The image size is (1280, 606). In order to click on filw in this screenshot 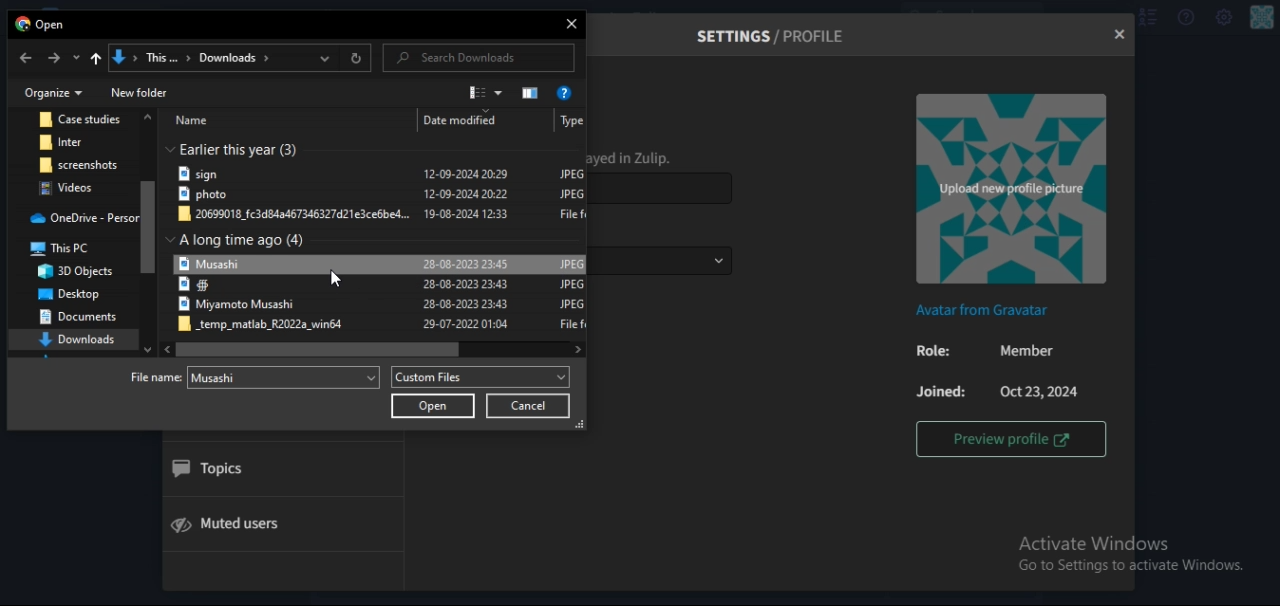, I will do `click(381, 174)`.